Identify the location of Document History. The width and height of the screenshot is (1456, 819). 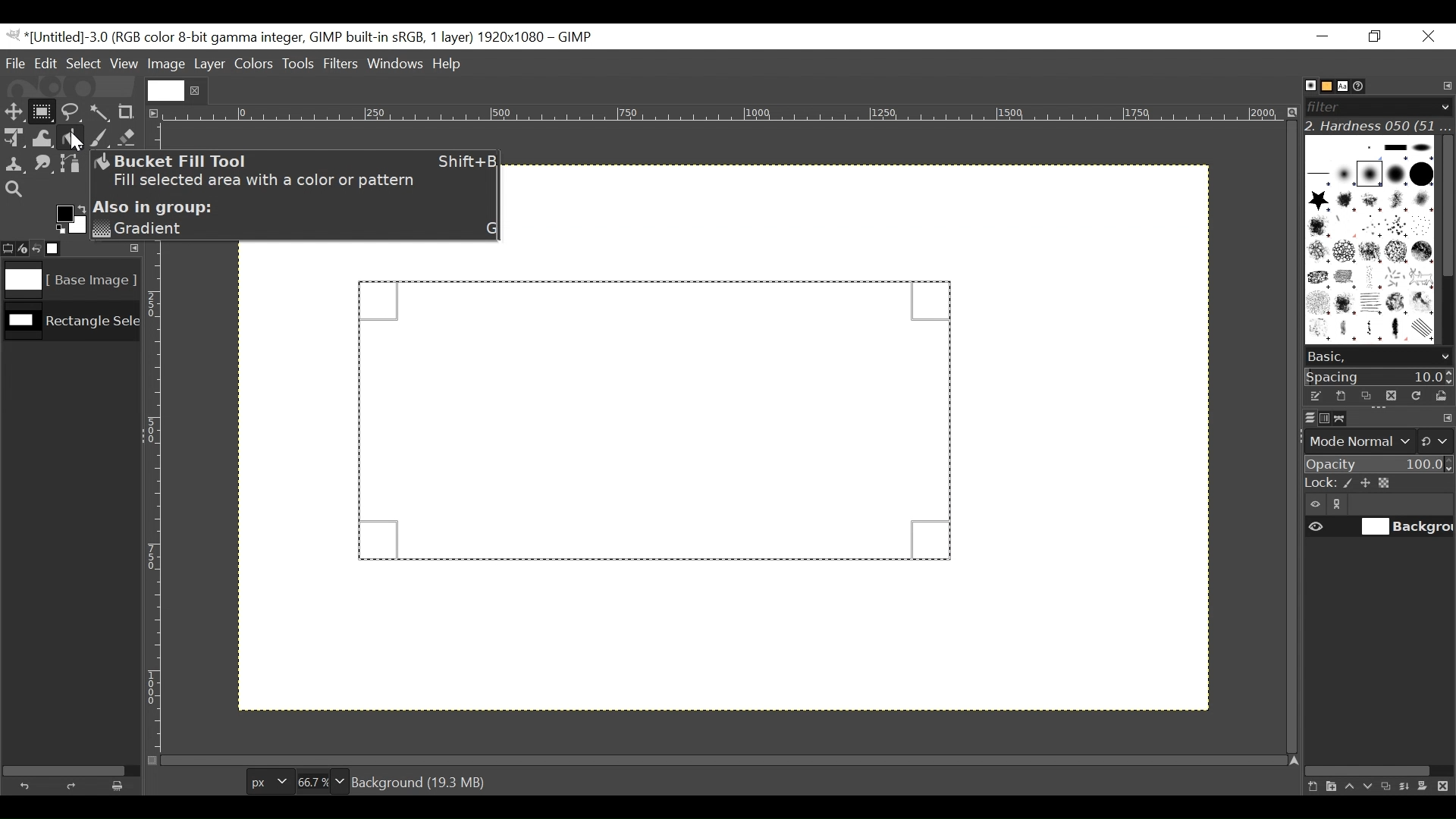
(1364, 85).